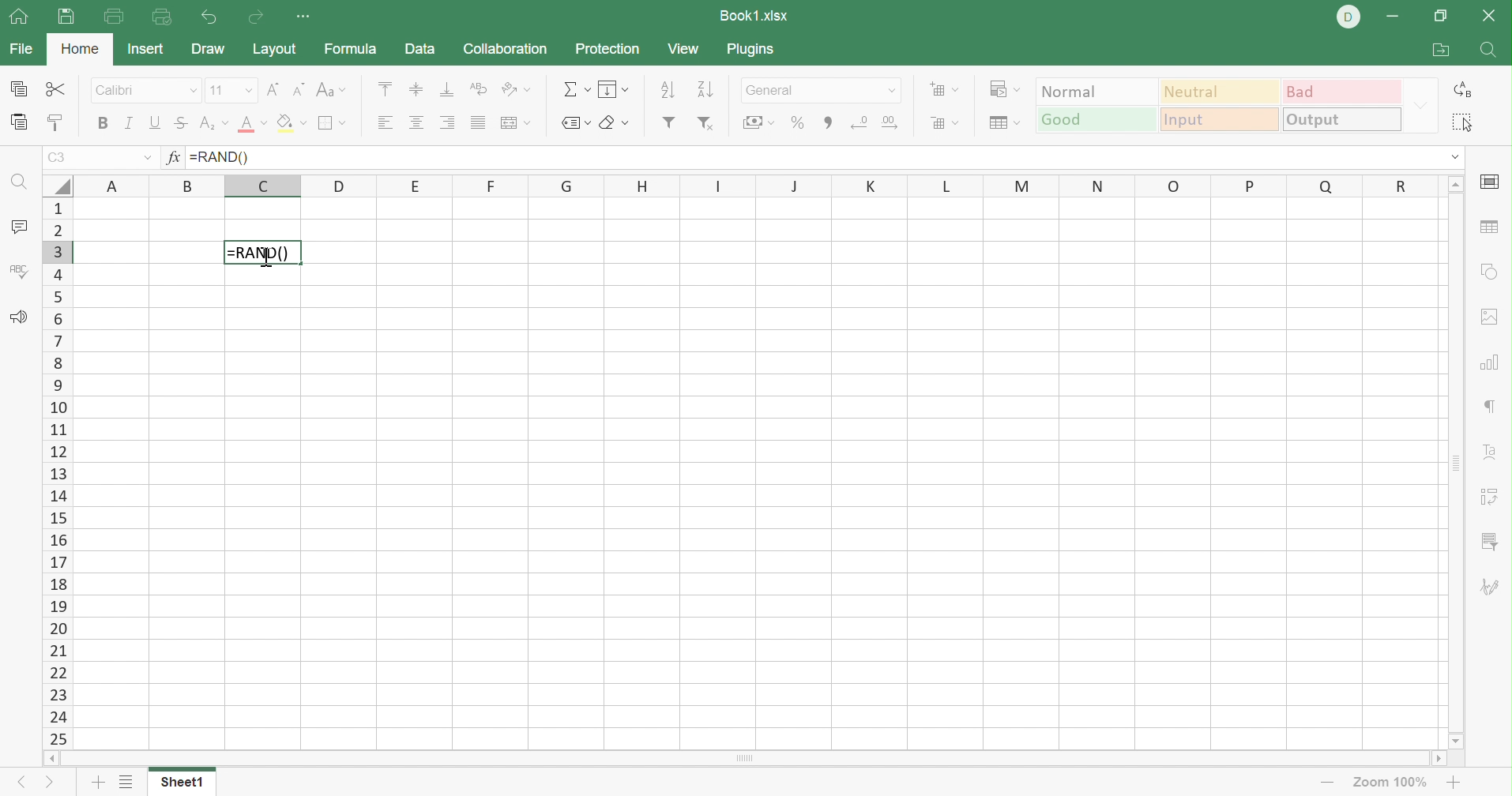  What do you see at coordinates (1097, 121) in the screenshot?
I see `Good` at bounding box center [1097, 121].